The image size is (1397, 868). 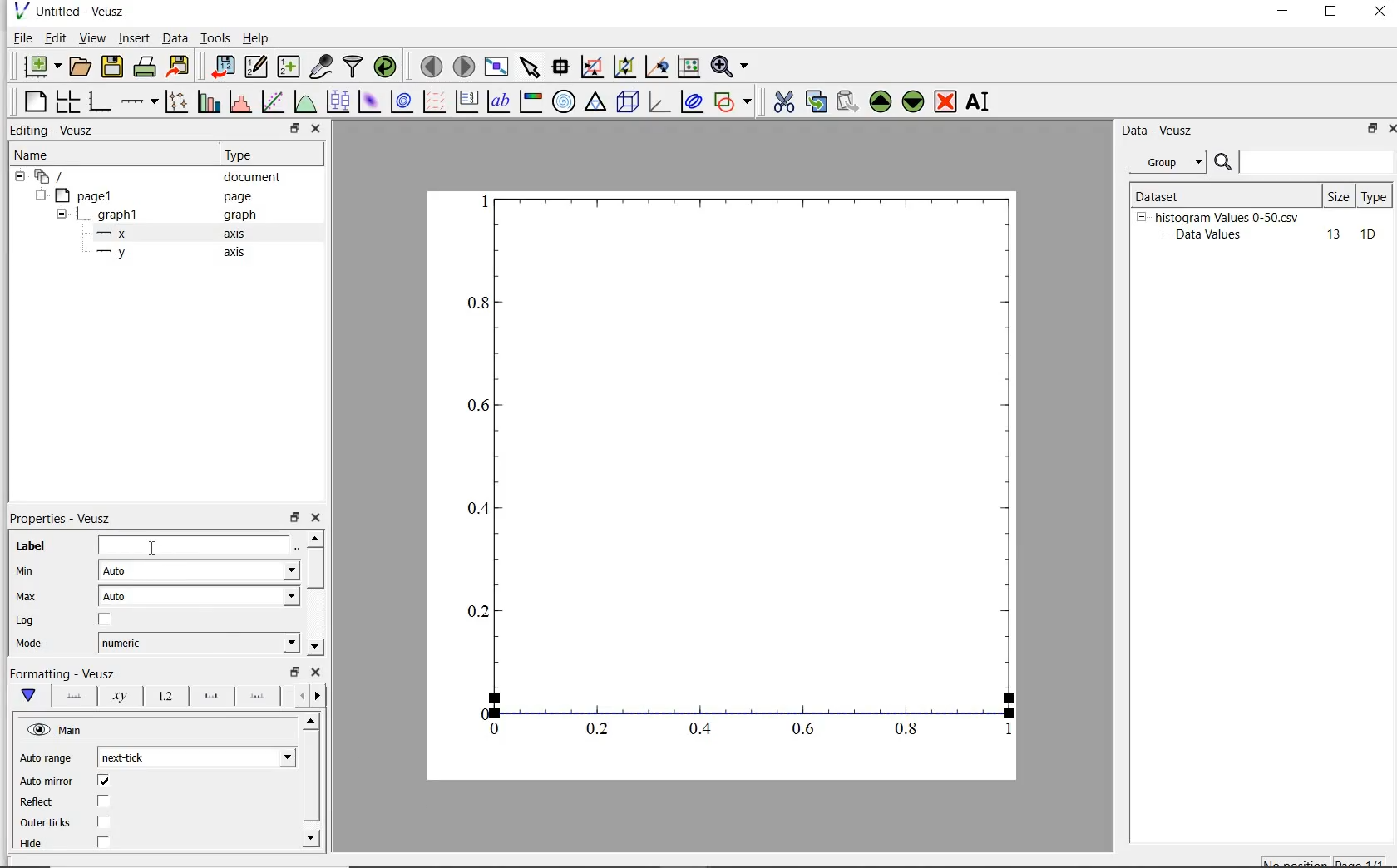 I want to click on Data Values, so click(x=1214, y=235).